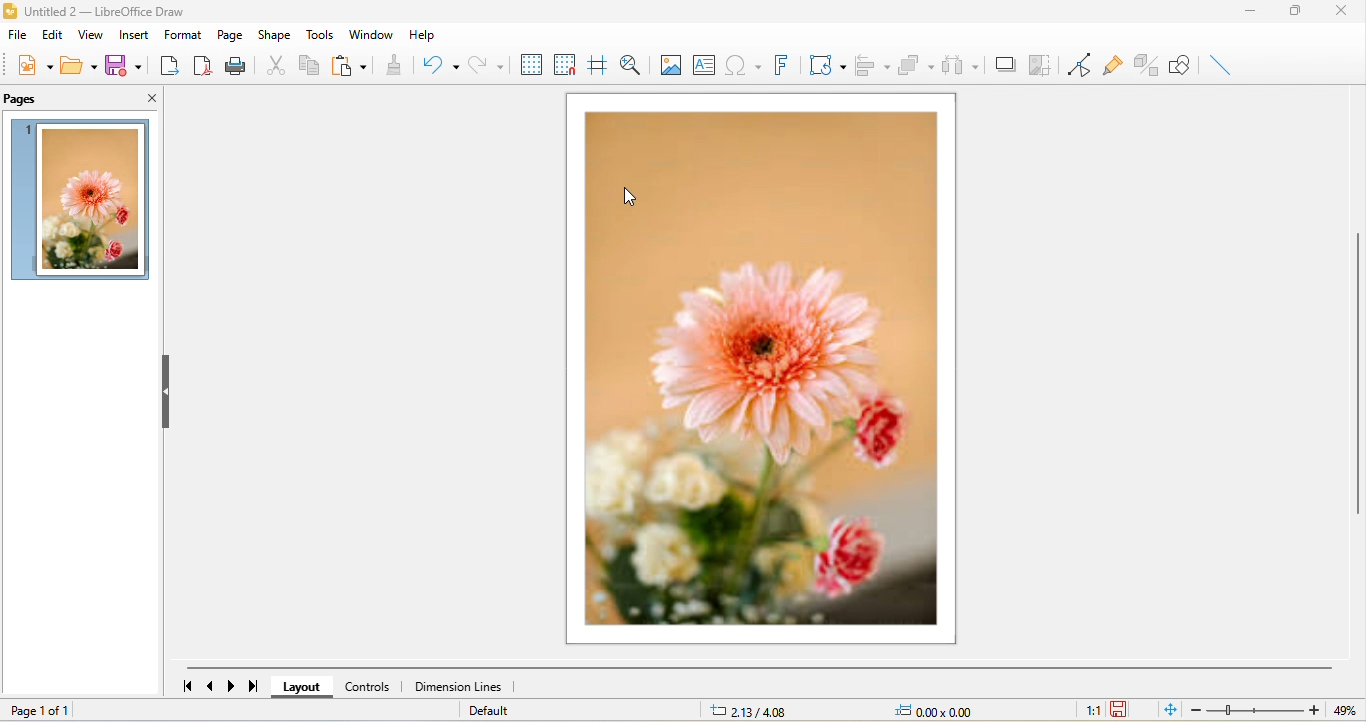  Describe the element at coordinates (759, 668) in the screenshot. I see `horizontal scroll bar` at that location.